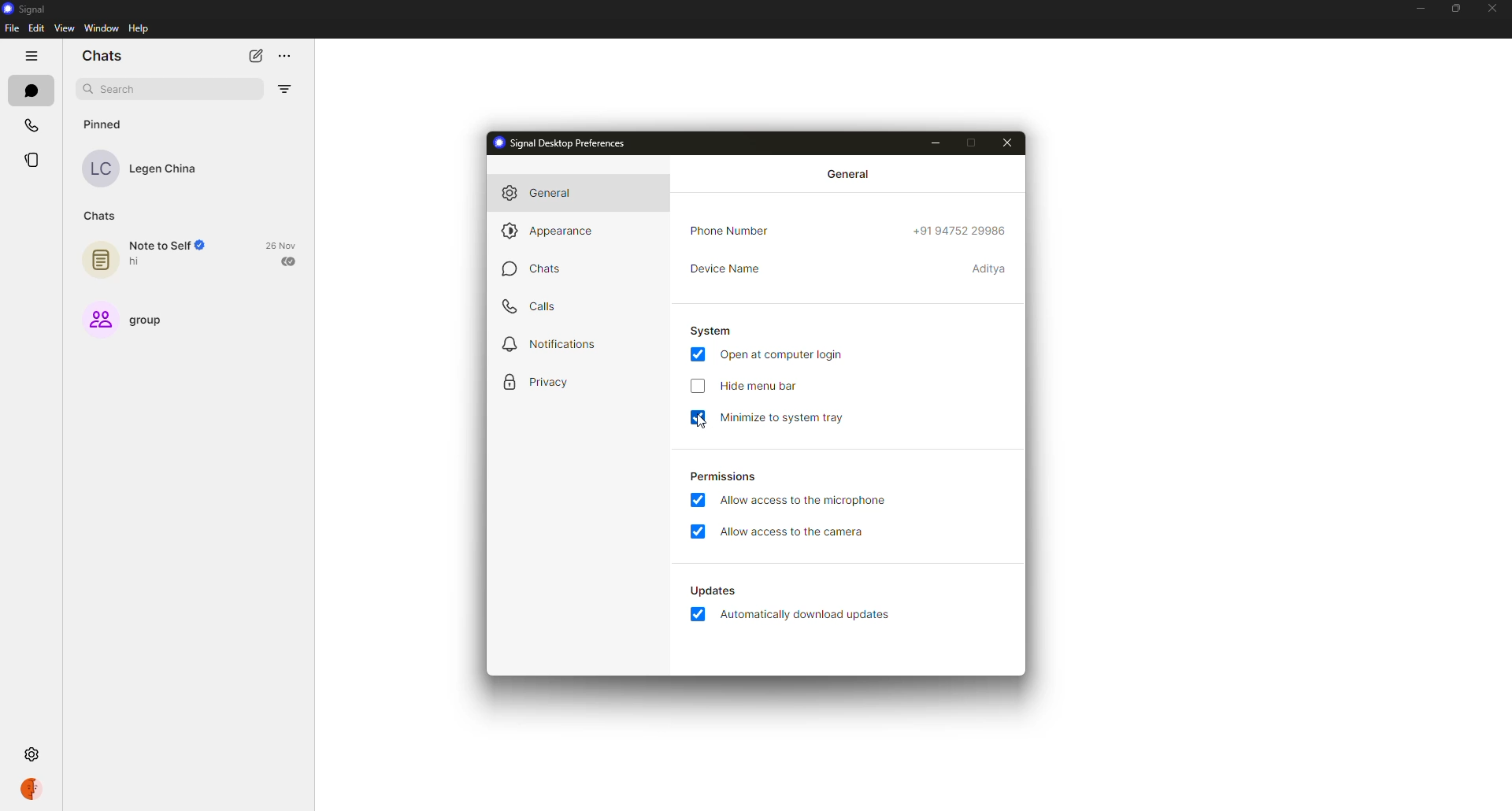 This screenshot has height=811, width=1512. I want to click on sent, so click(290, 261).